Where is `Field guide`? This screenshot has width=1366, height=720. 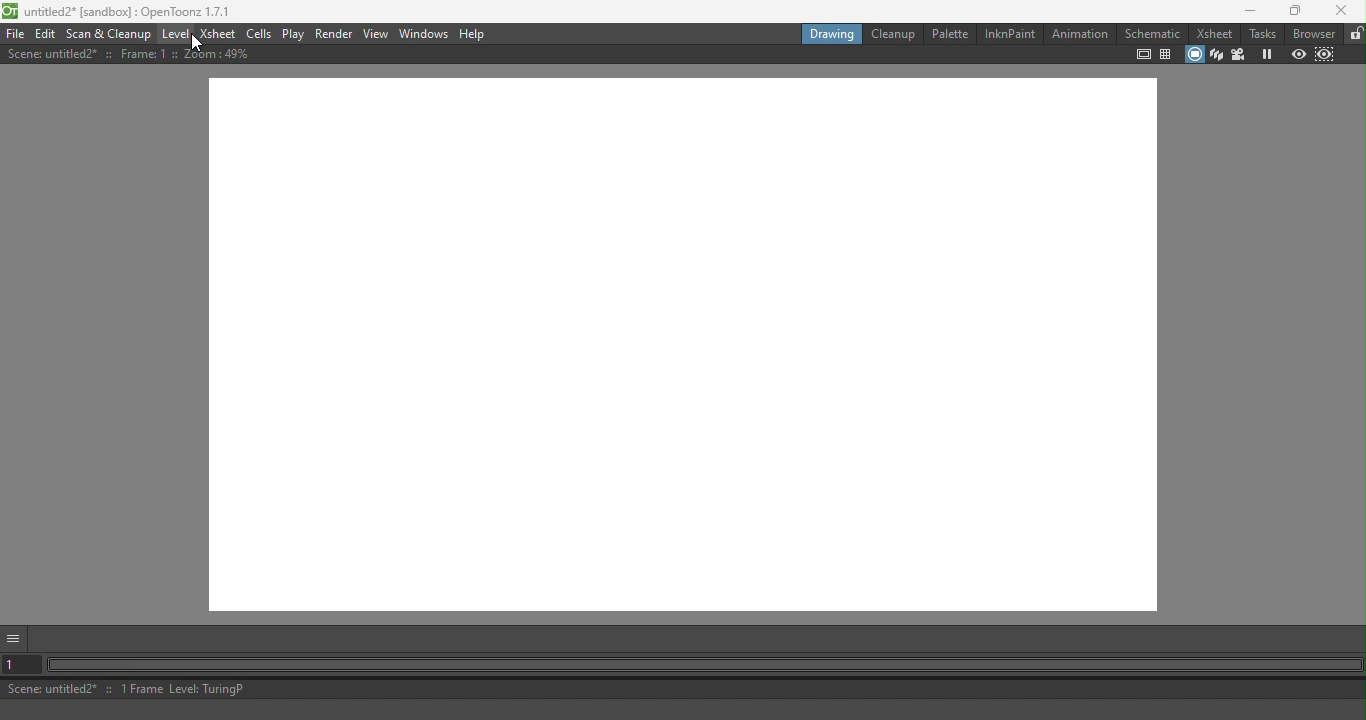
Field guide is located at coordinates (1168, 56).